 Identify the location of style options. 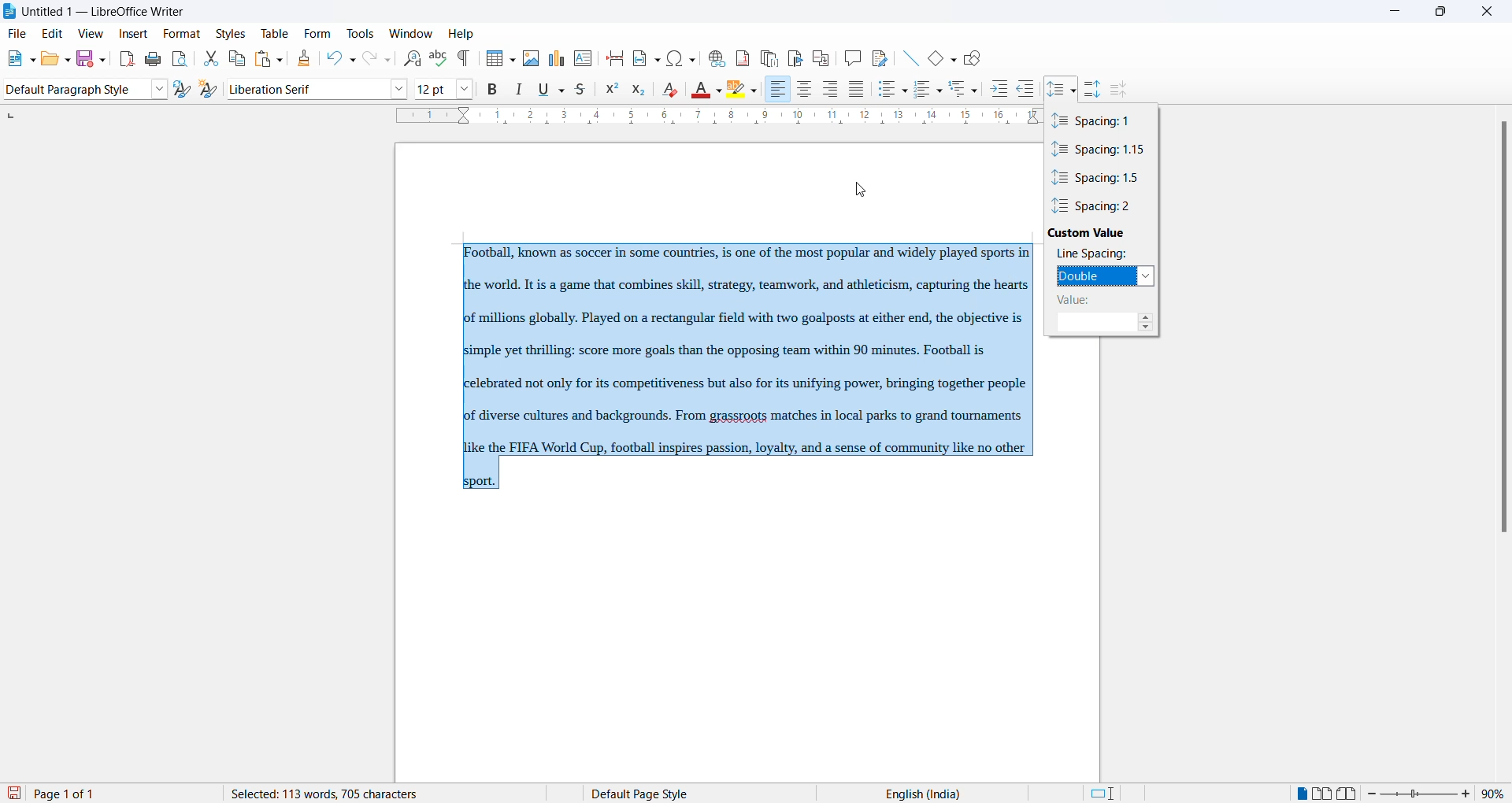
(161, 88).